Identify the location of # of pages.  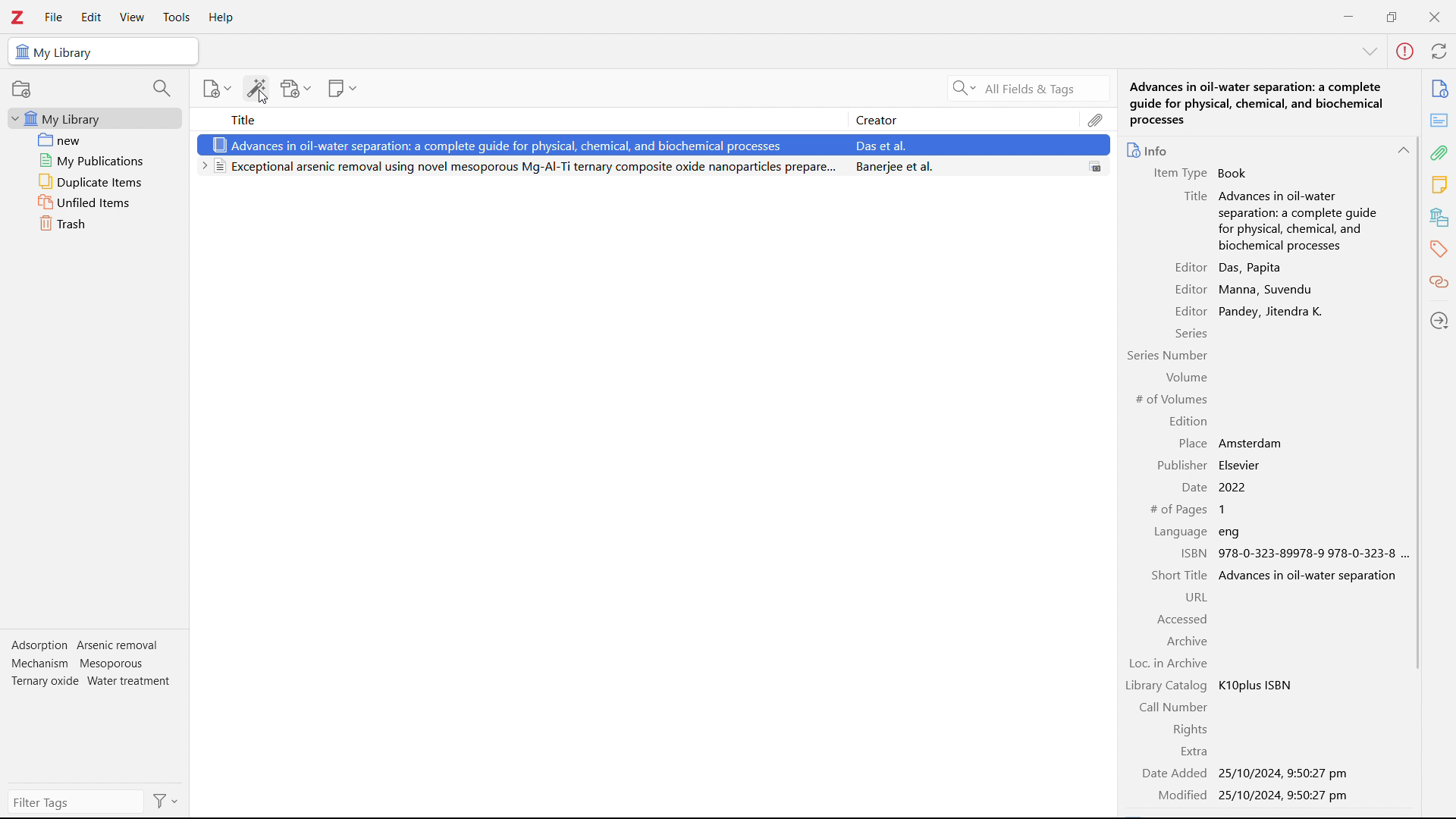
(1179, 510).